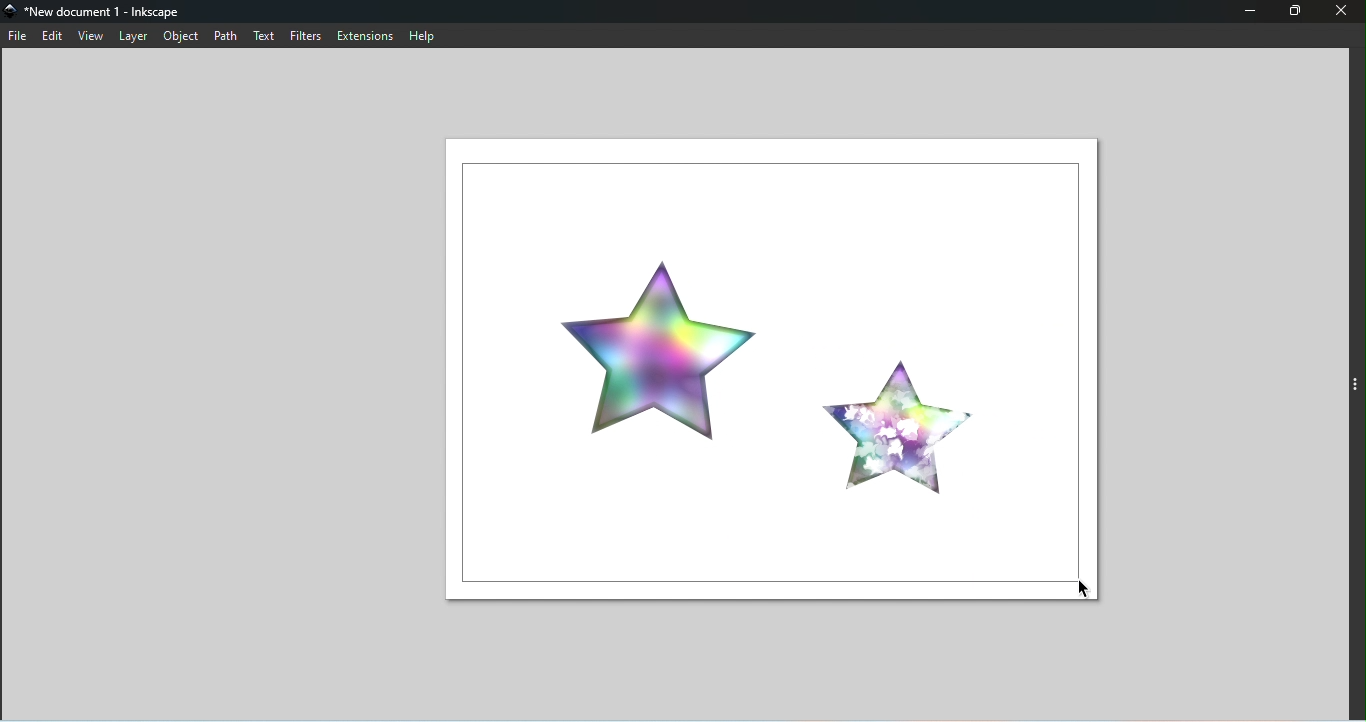  What do you see at coordinates (50, 35) in the screenshot?
I see `Edit` at bounding box center [50, 35].